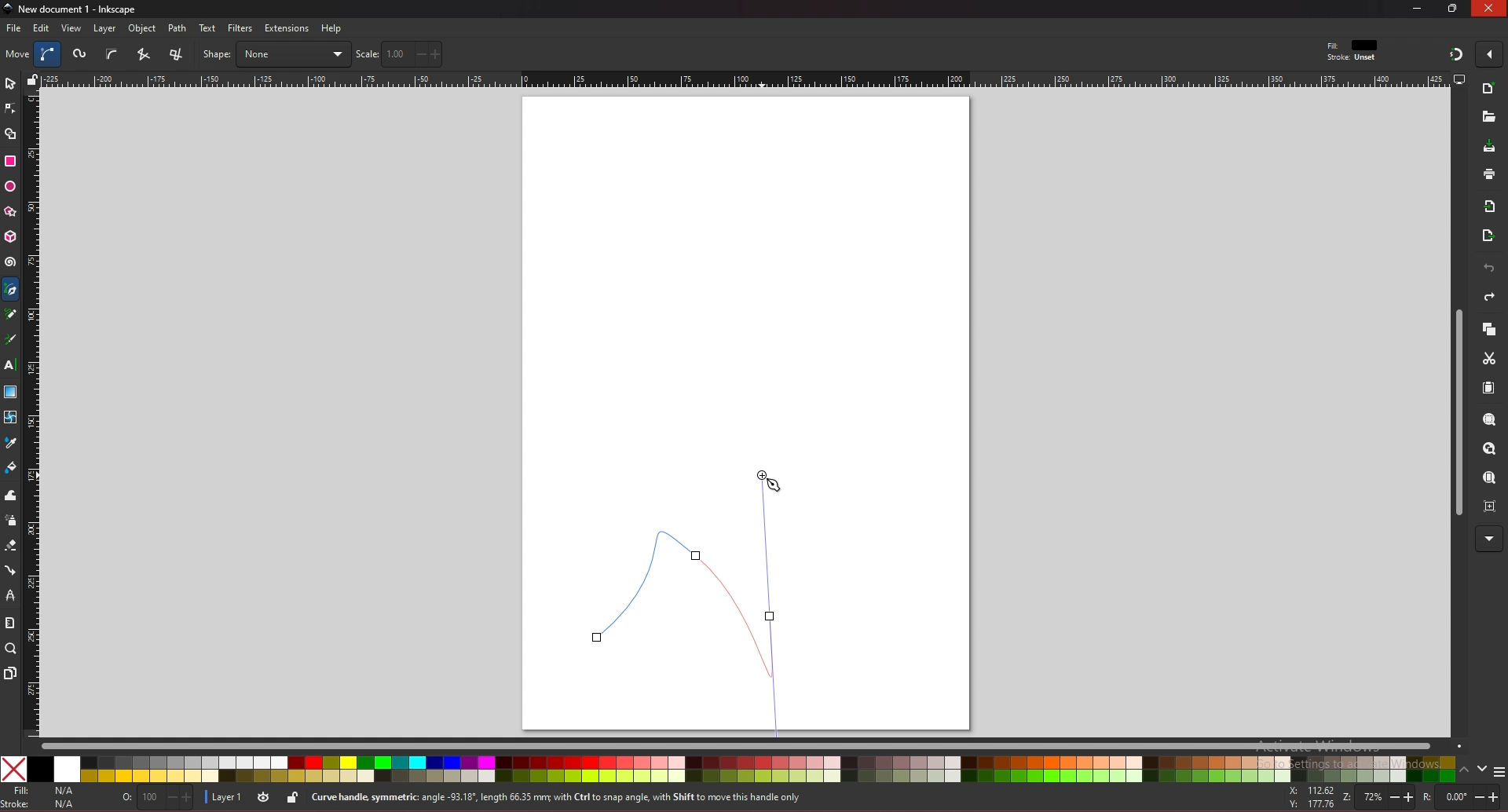 This screenshot has height=812, width=1508. Describe the element at coordinates (276, 54) in the screenshot. I see `shape` at that location.